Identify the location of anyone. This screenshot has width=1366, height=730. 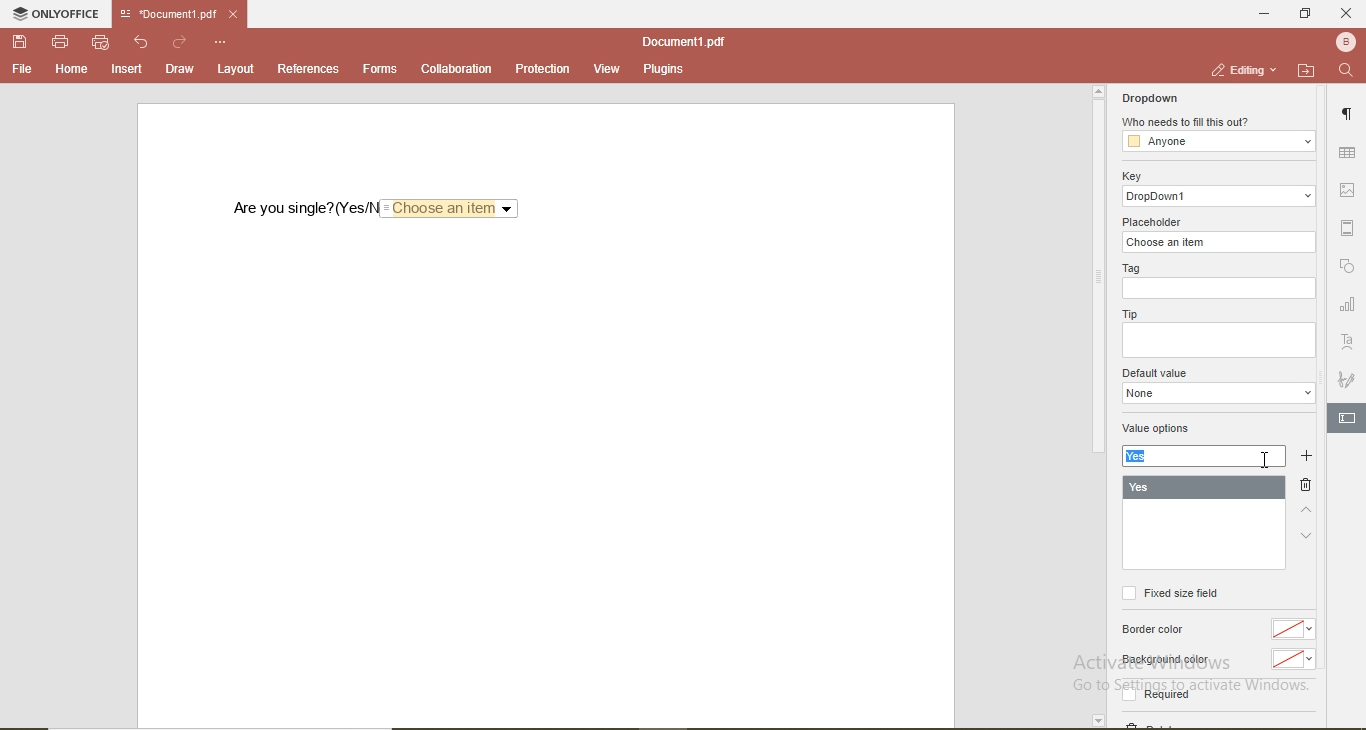
(1217, 141).